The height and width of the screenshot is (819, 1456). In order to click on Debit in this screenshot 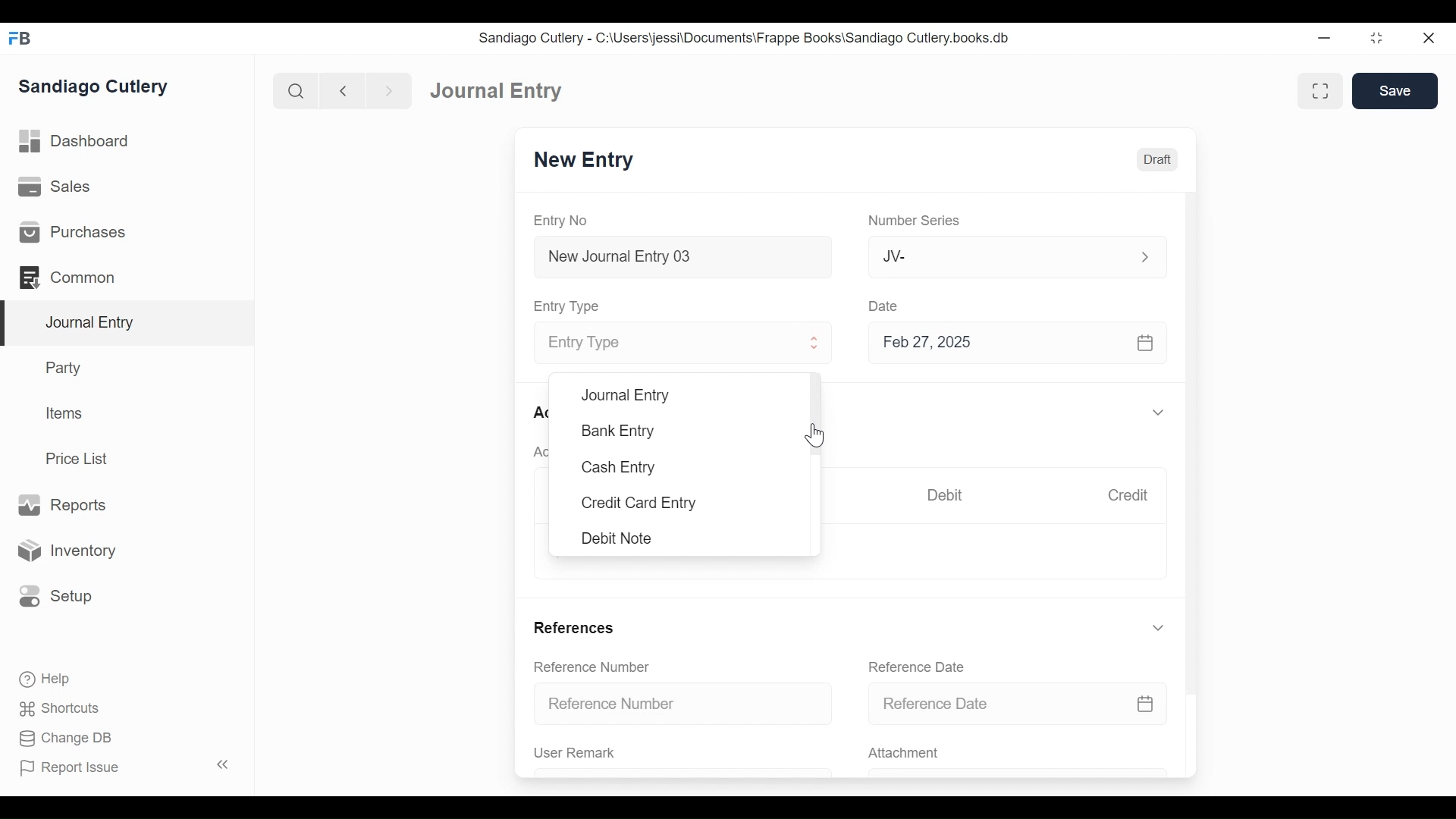, I will do `click(946, 494)`.